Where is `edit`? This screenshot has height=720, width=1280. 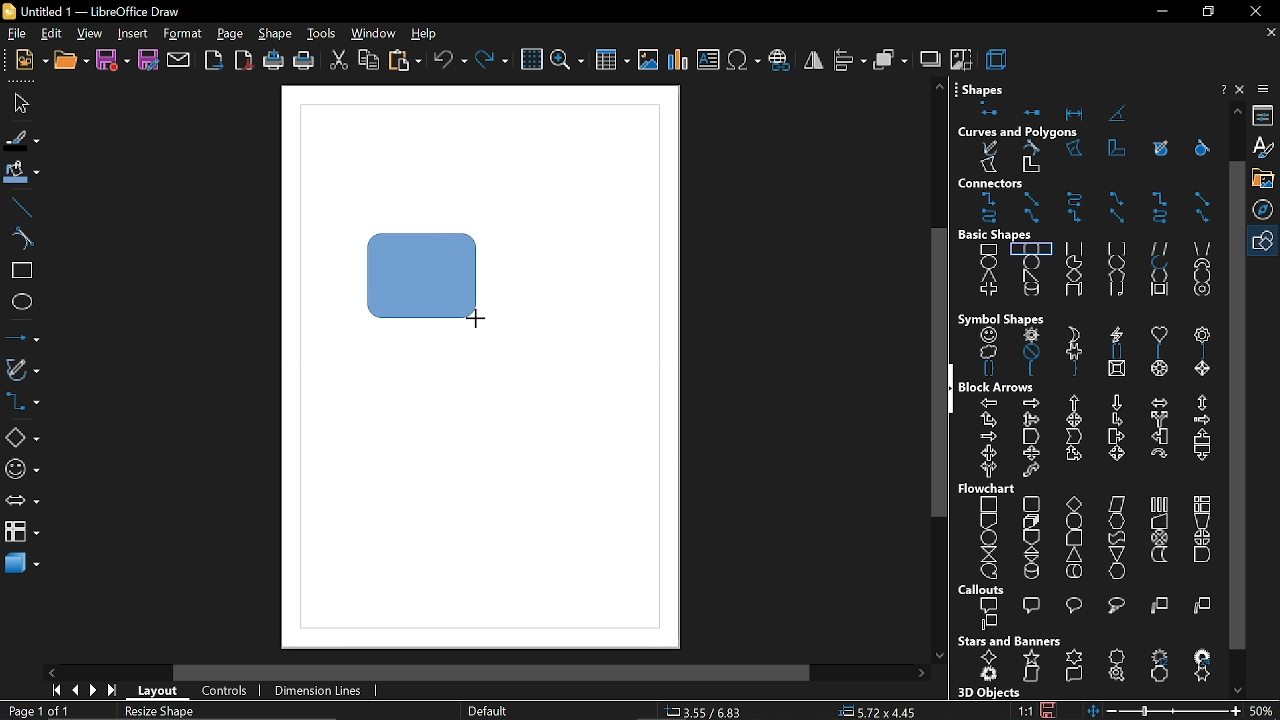
edit is located at coordinates (51, 35).